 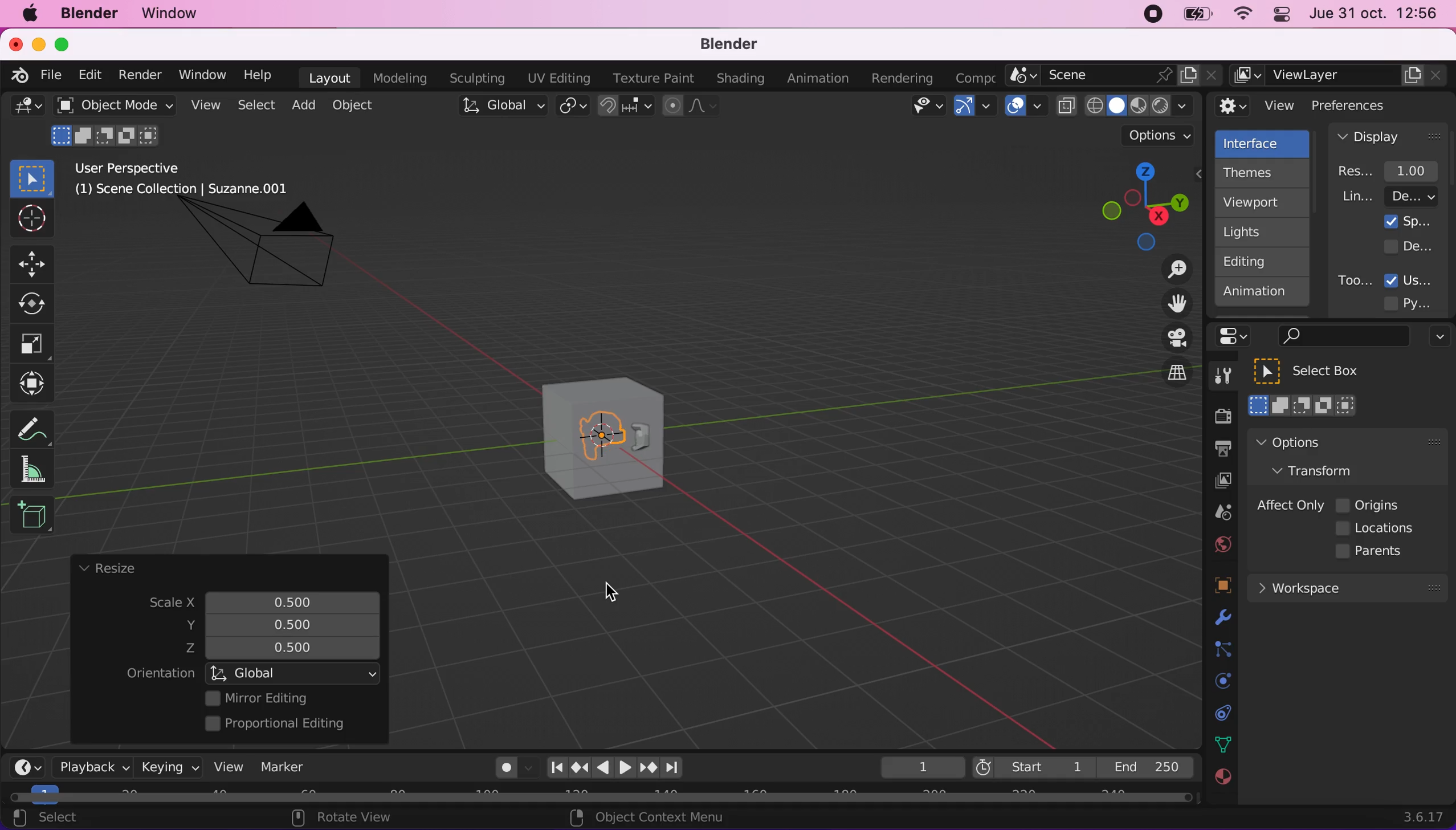 I want to click on constraints, so click(x=1221, y=650).